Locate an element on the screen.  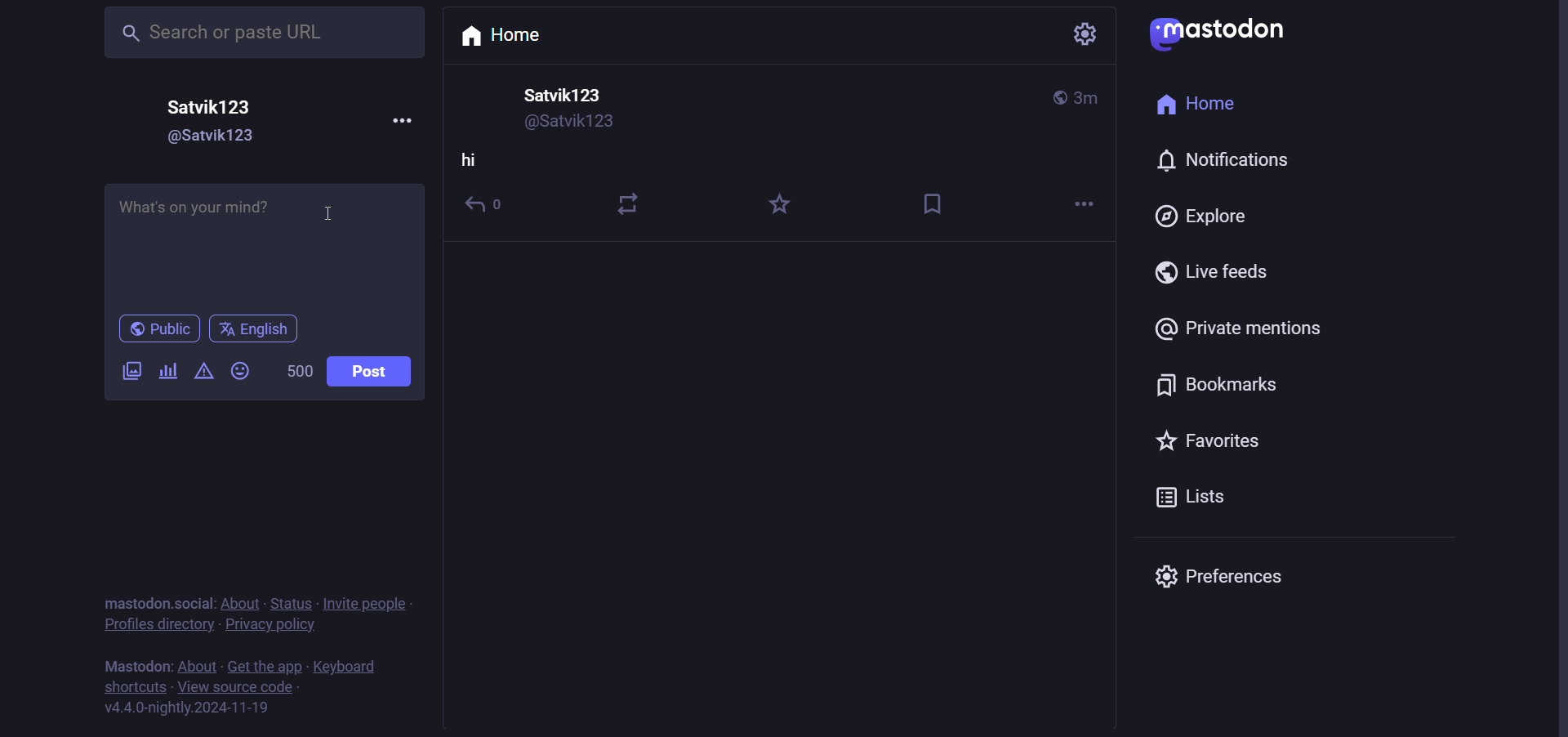
profiles is located at coordinates (157, 628).